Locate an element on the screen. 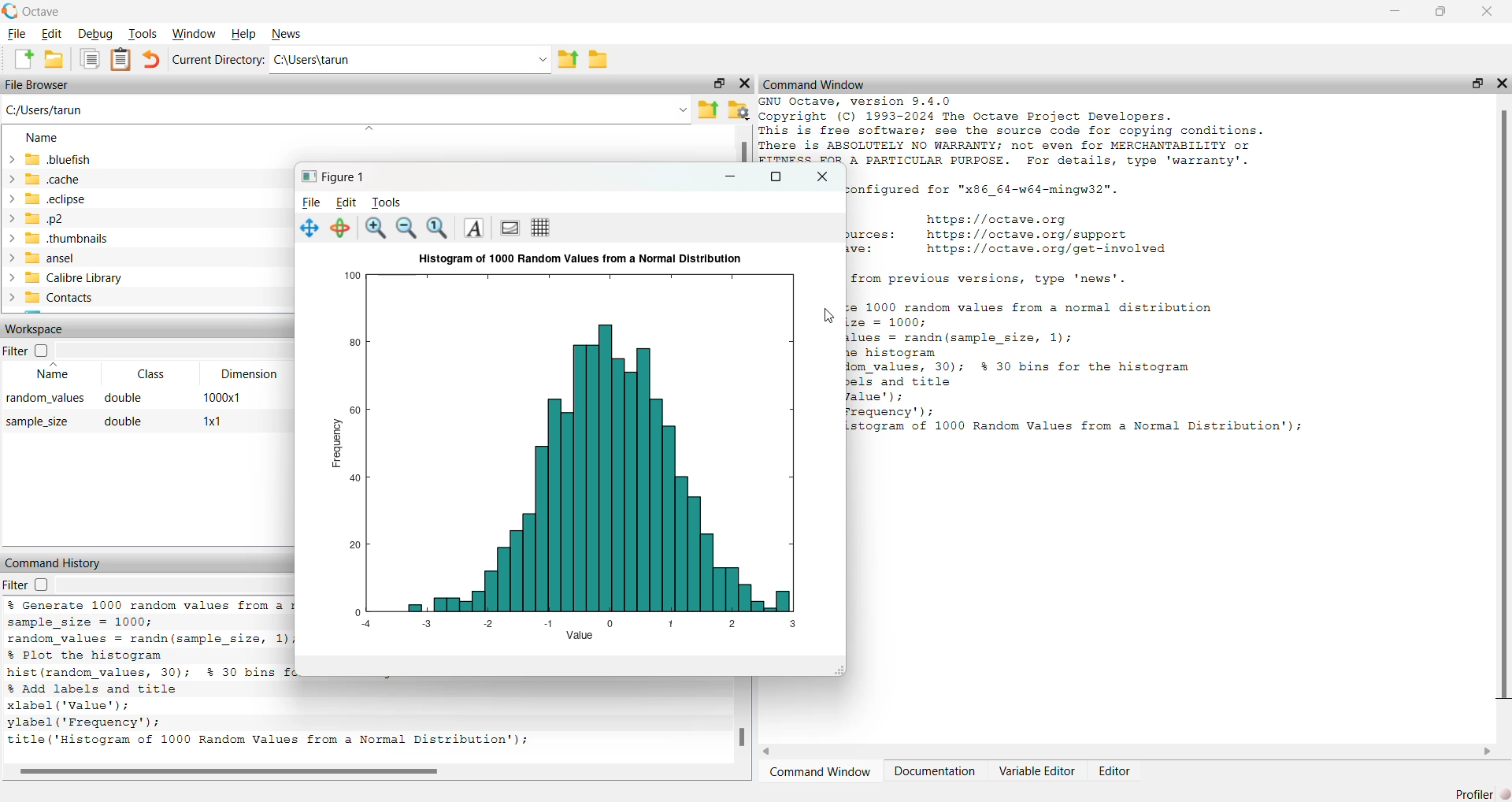 This screenshot has height=802, width=1512. Name is located at coordinates (51, 372).